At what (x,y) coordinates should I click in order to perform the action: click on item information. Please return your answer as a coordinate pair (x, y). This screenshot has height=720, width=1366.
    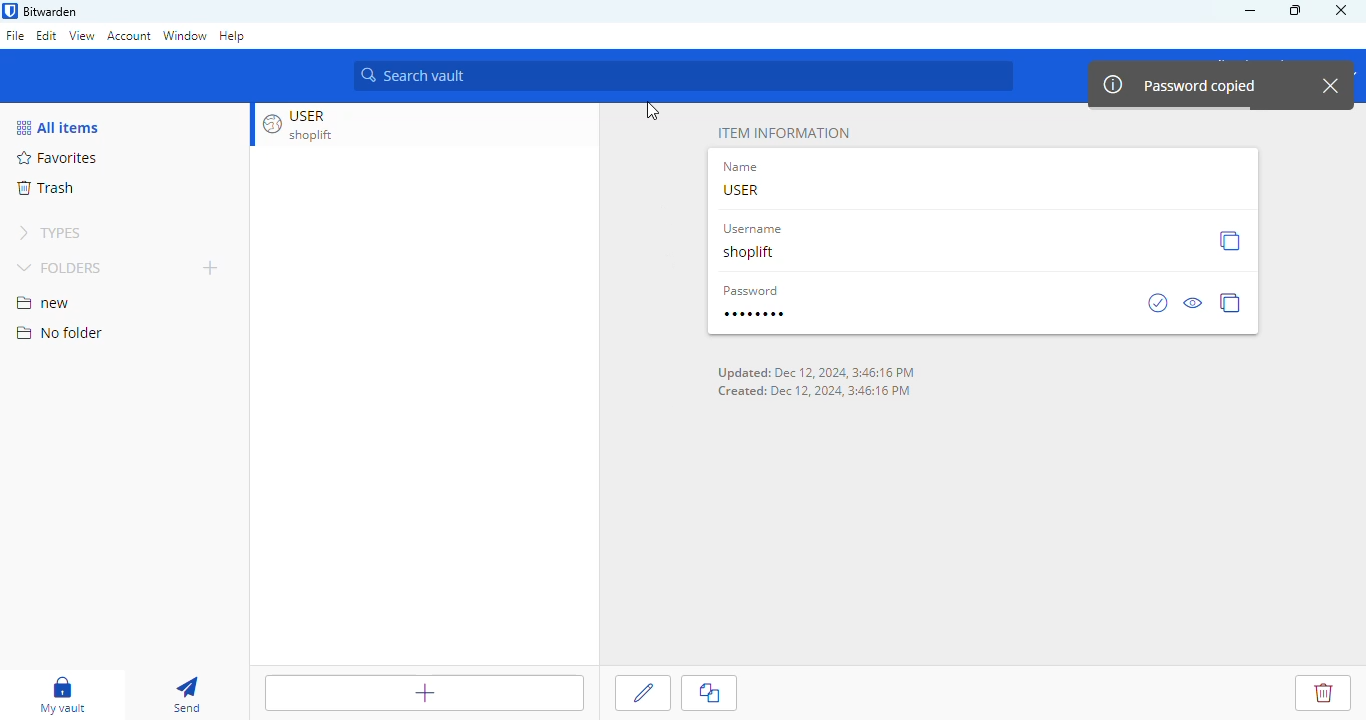
    Looking at the image, I should click on (783, 133).